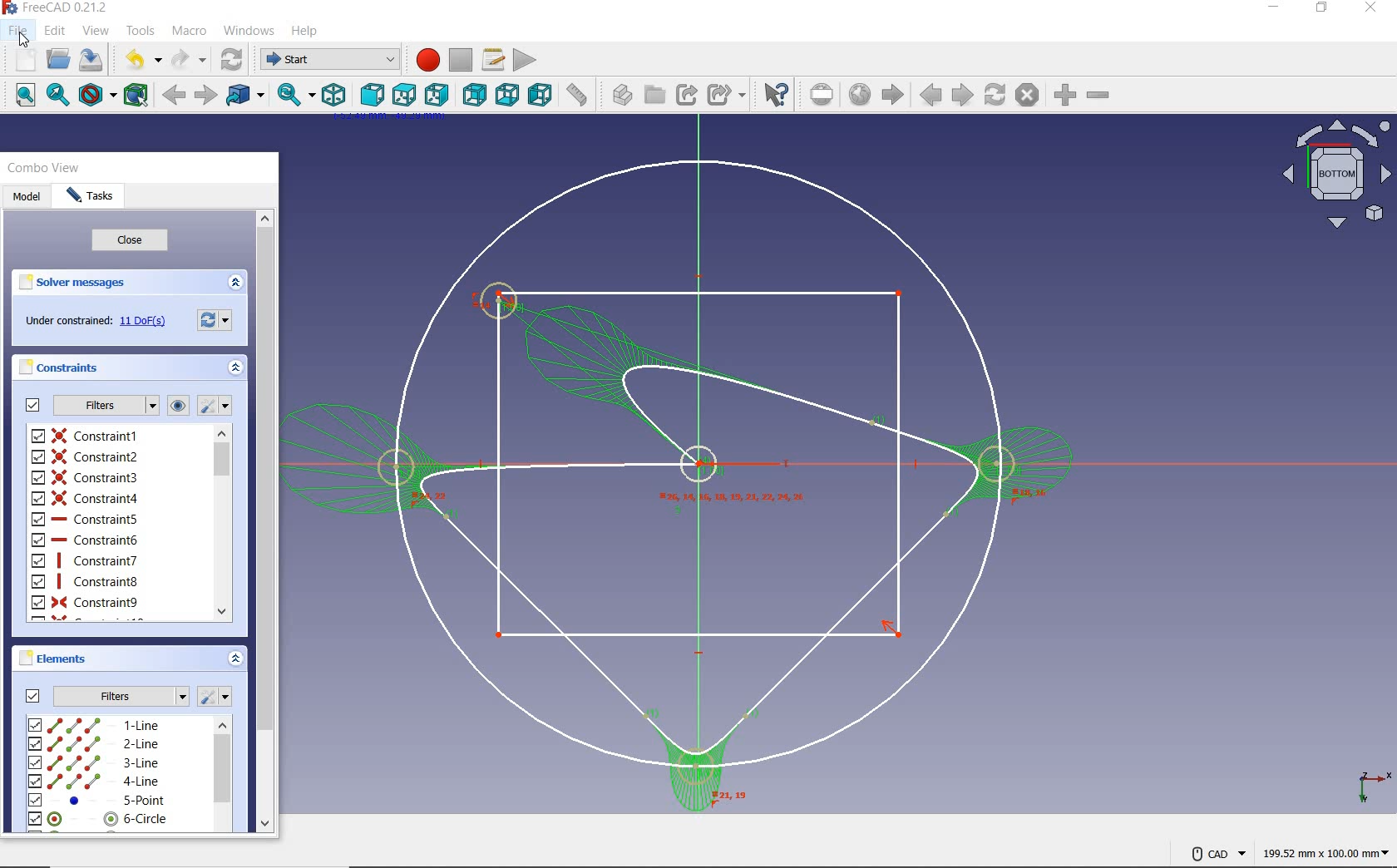  Describe the element at coordinates (681, 483) in the screenshot. I see `design` at that location.